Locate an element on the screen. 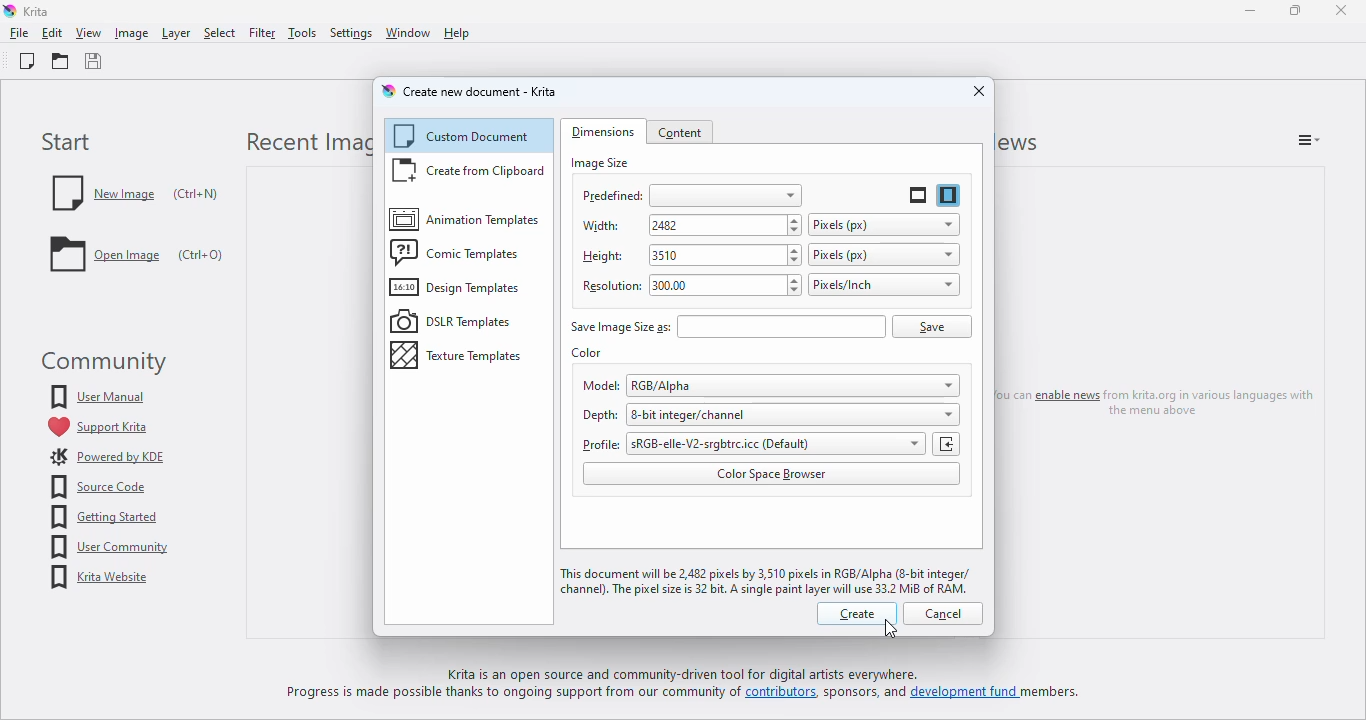 The width and height of the screenshot is (1366, 720). import profile is located at coordinates (946, 444).